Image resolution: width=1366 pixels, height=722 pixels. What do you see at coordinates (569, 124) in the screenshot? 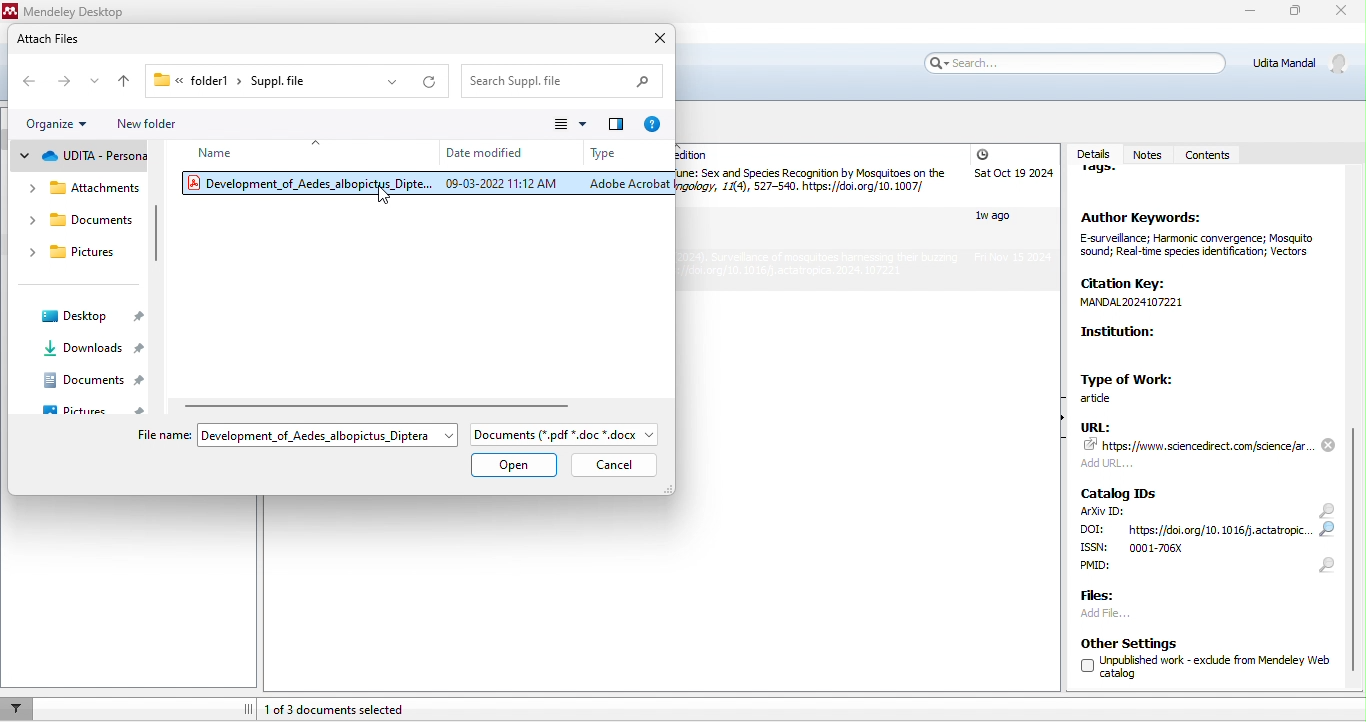
I see `change view` at bounding box center [569, 124].